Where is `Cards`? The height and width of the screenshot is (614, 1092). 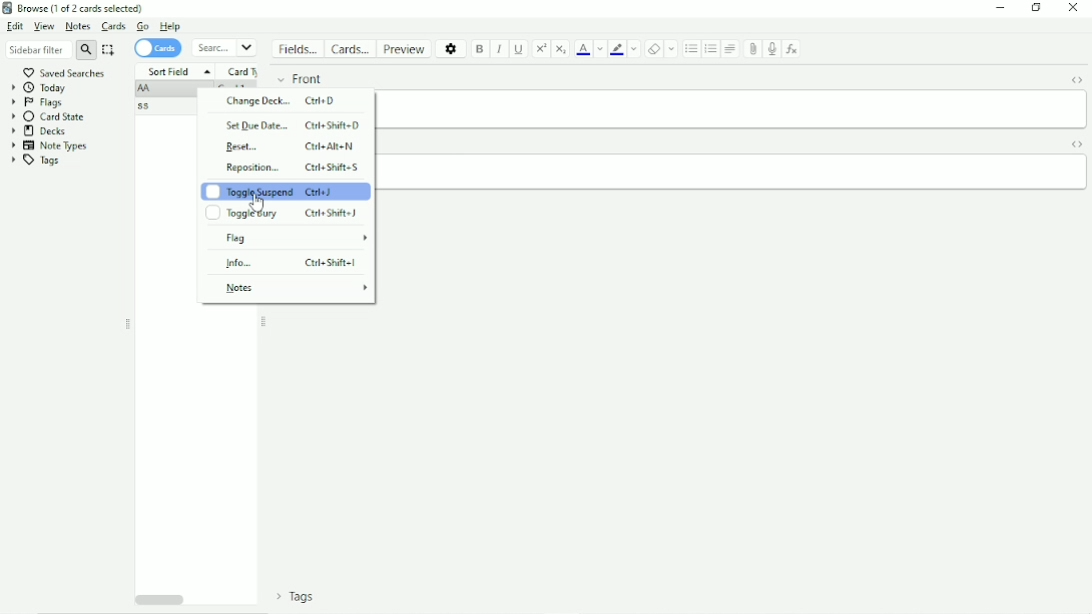 Cards is located at coordinates (158, 48).